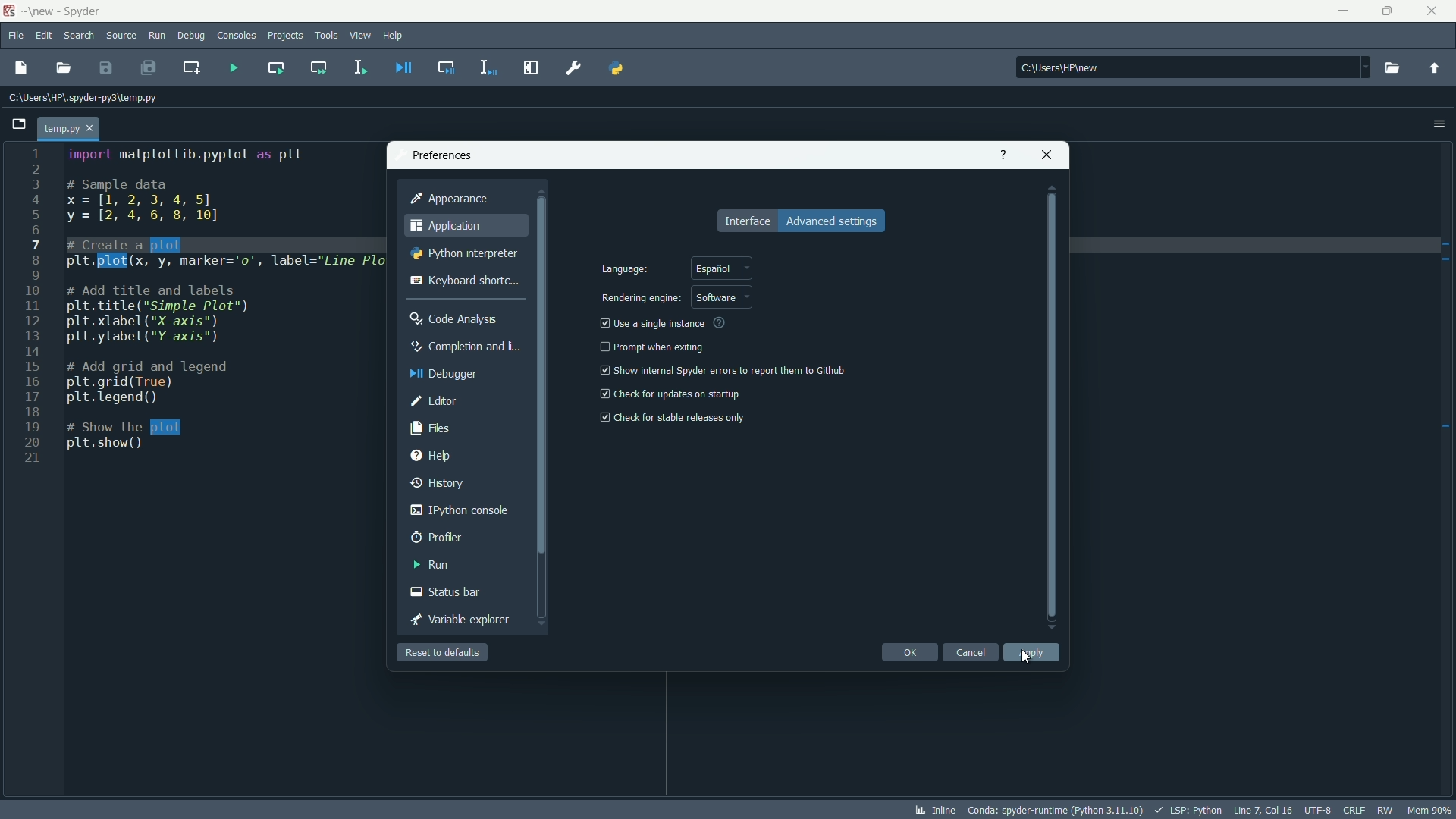  I want to click on get help, so click(1002, 155).